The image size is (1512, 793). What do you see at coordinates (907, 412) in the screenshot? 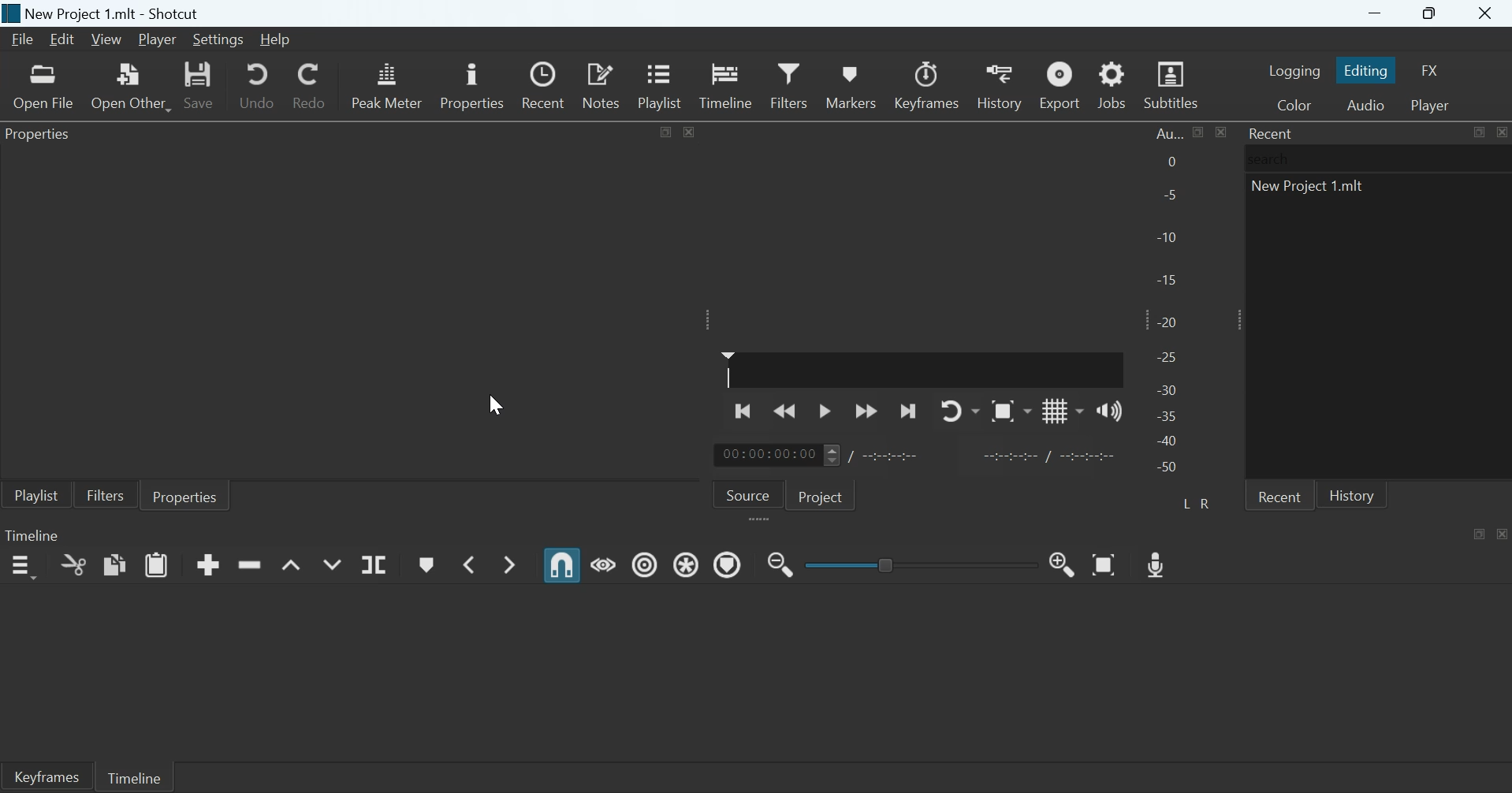
I see `Skip to the next point` at bounding box center [907, 412].